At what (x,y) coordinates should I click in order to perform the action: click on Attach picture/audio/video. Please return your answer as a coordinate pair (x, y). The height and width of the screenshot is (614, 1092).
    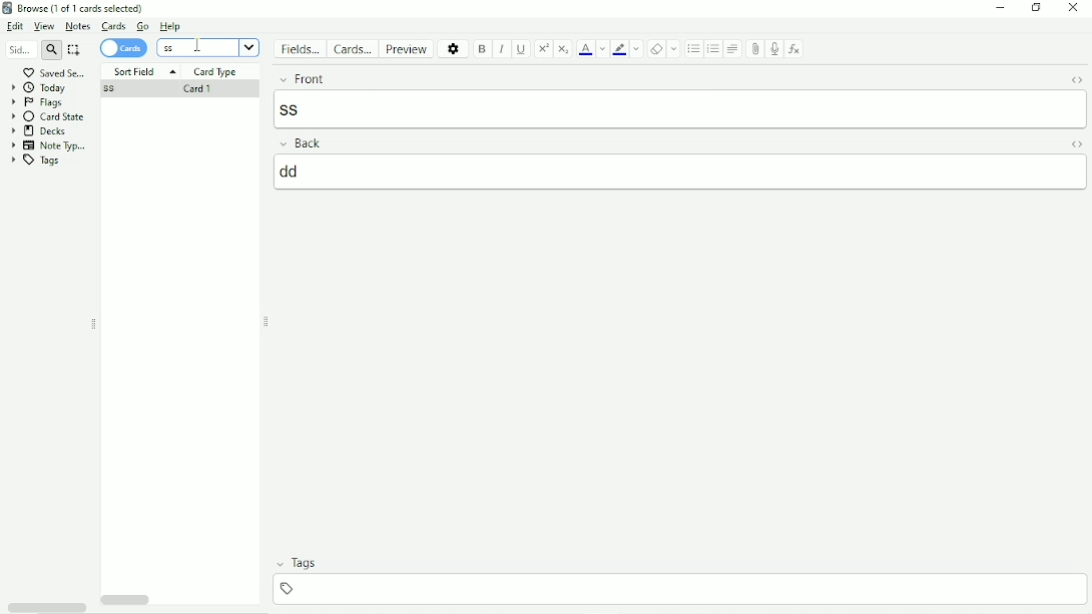
    Looking at the image, I should click on (755, 48).